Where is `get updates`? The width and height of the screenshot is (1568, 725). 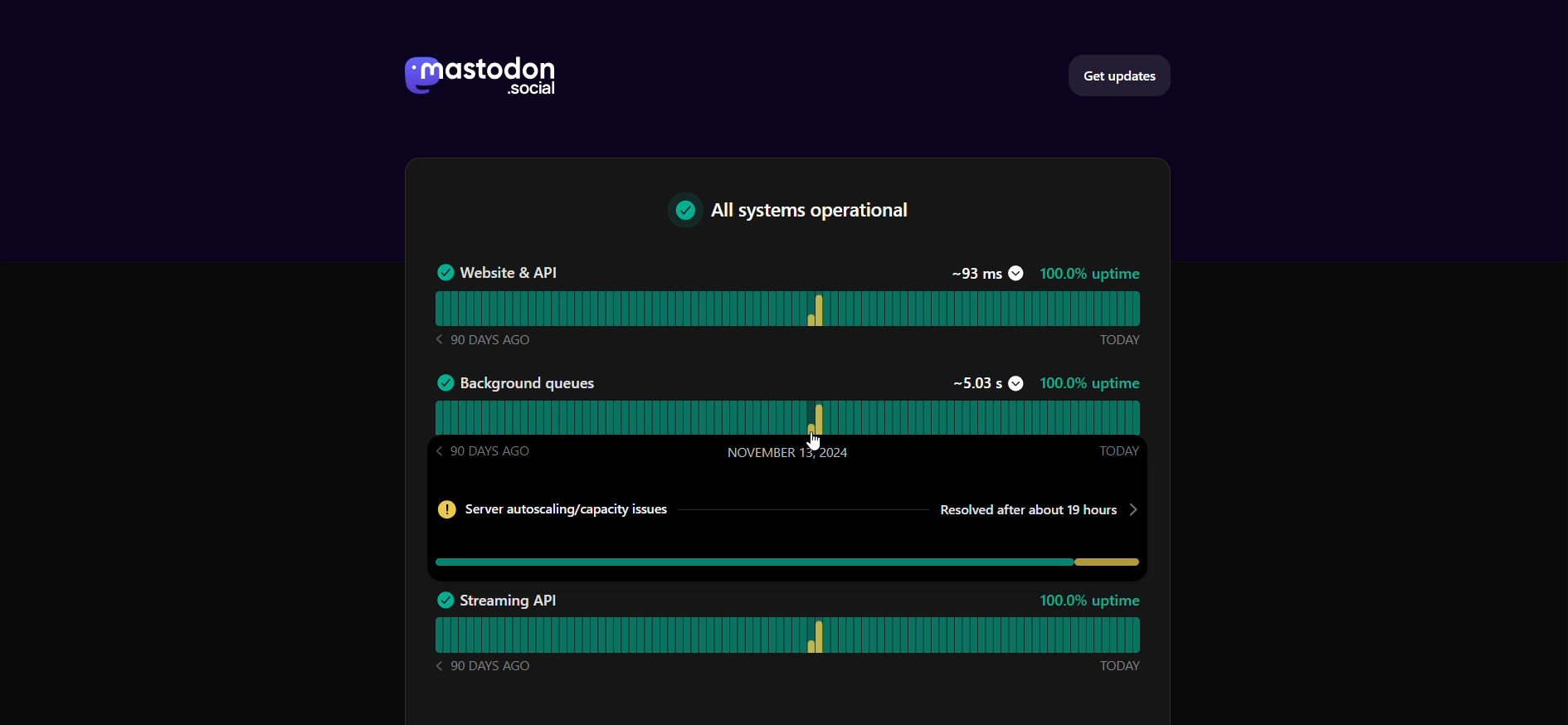 get updates is located at coordinates (1118, 75).